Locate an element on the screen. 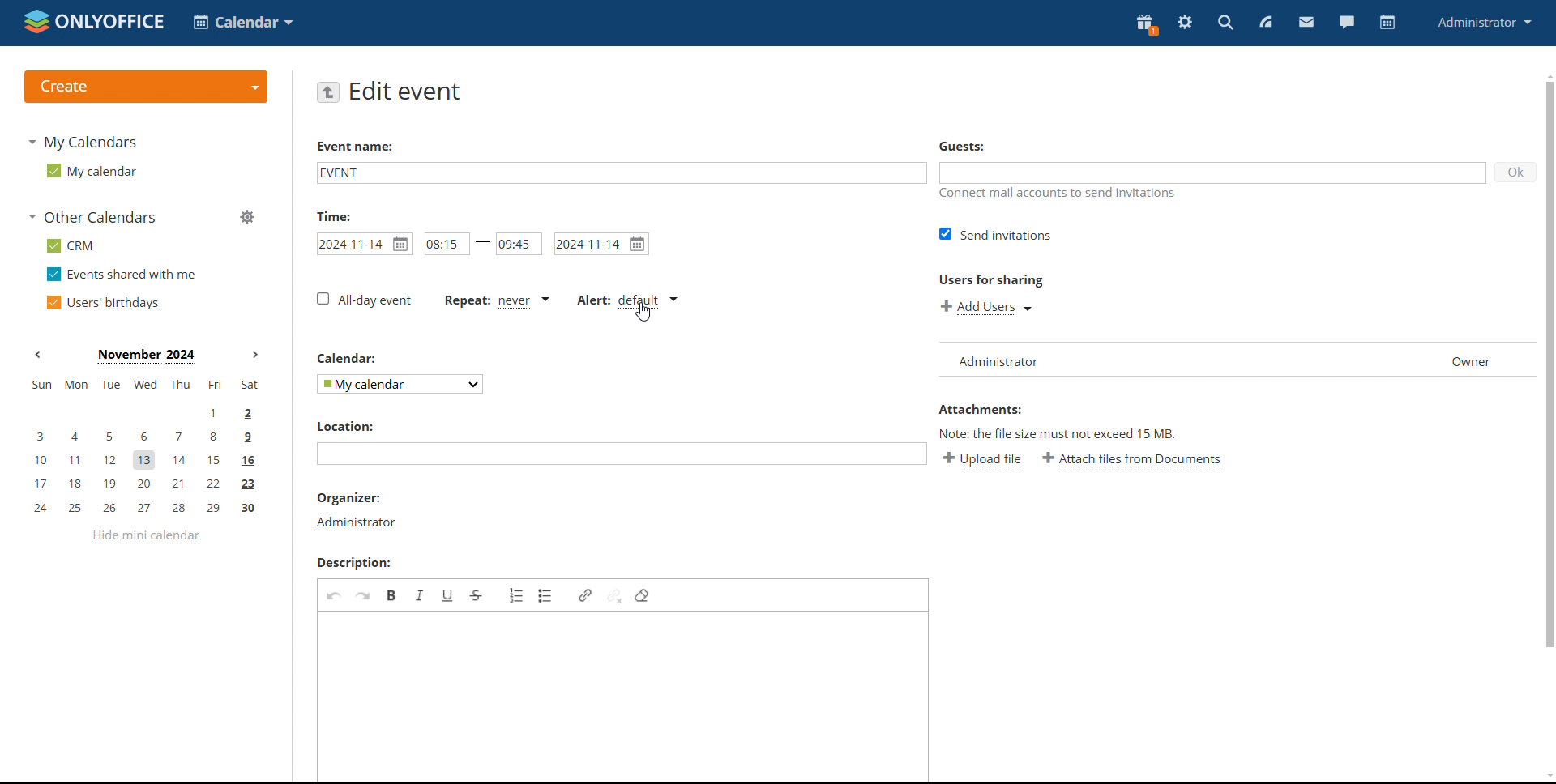 This screenshot has width=1556, height=784. feed is located at coordinates (1266, 24).